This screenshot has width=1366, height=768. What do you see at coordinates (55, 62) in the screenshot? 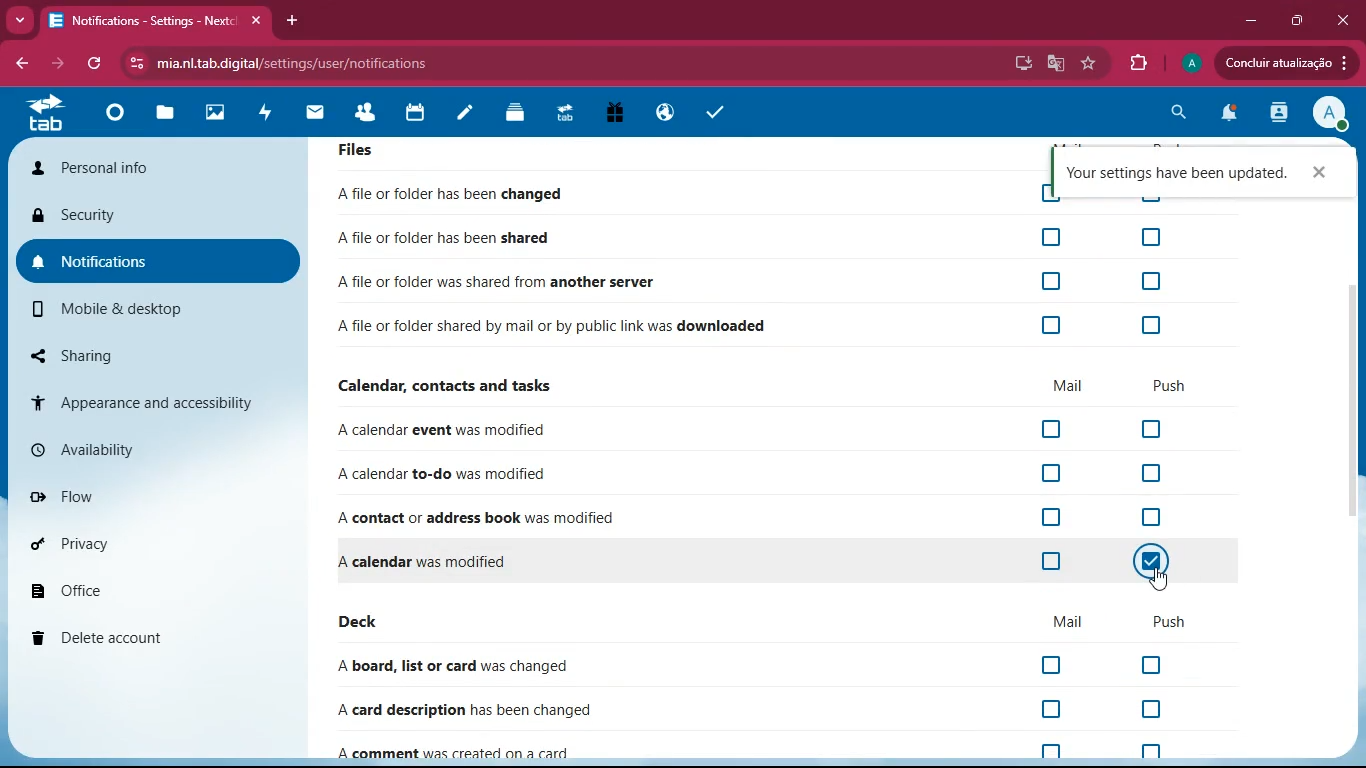
I see `forward` at bounding box center [55, 62].